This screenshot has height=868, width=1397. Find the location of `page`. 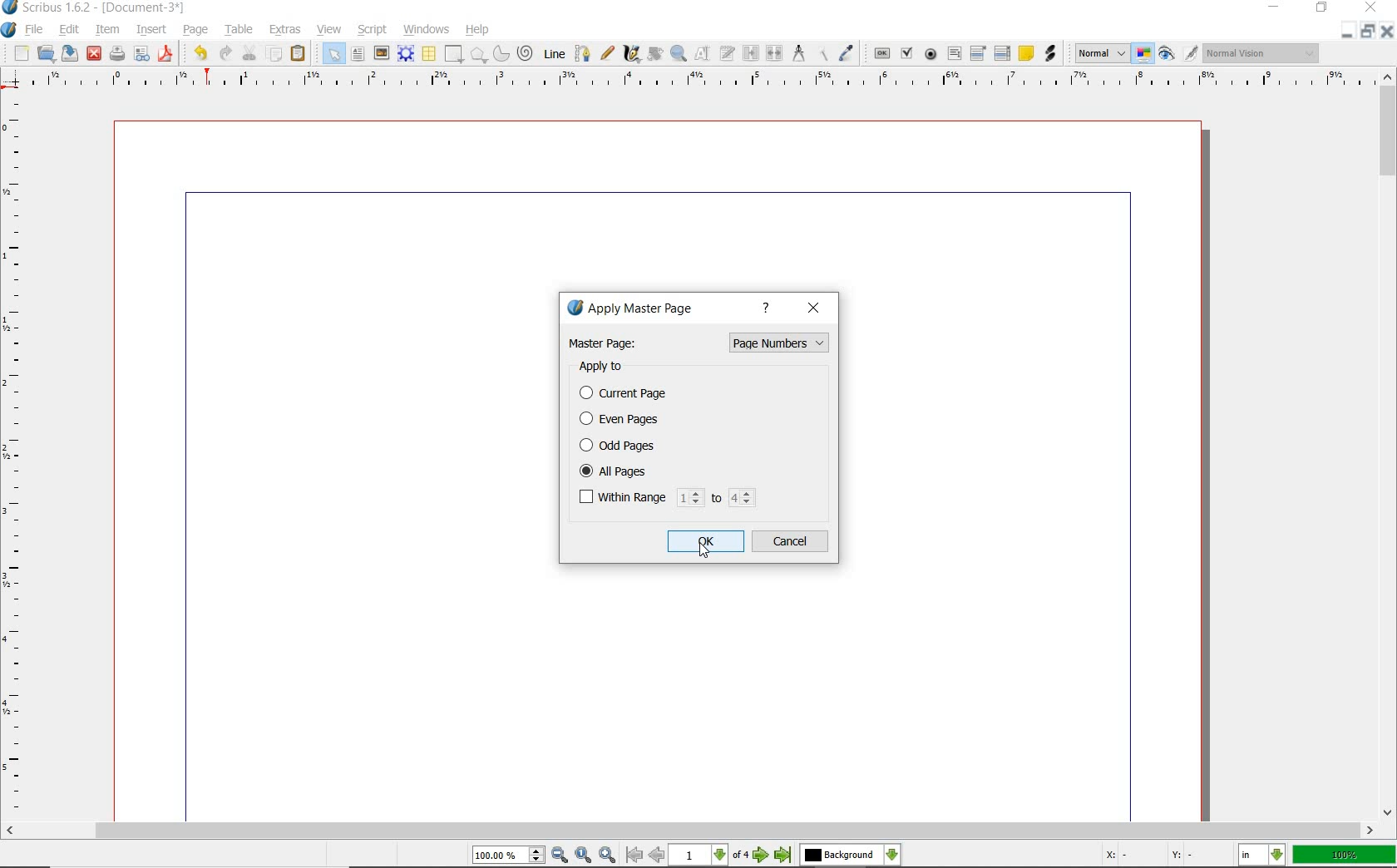

page is located at coordinates (192, 28).